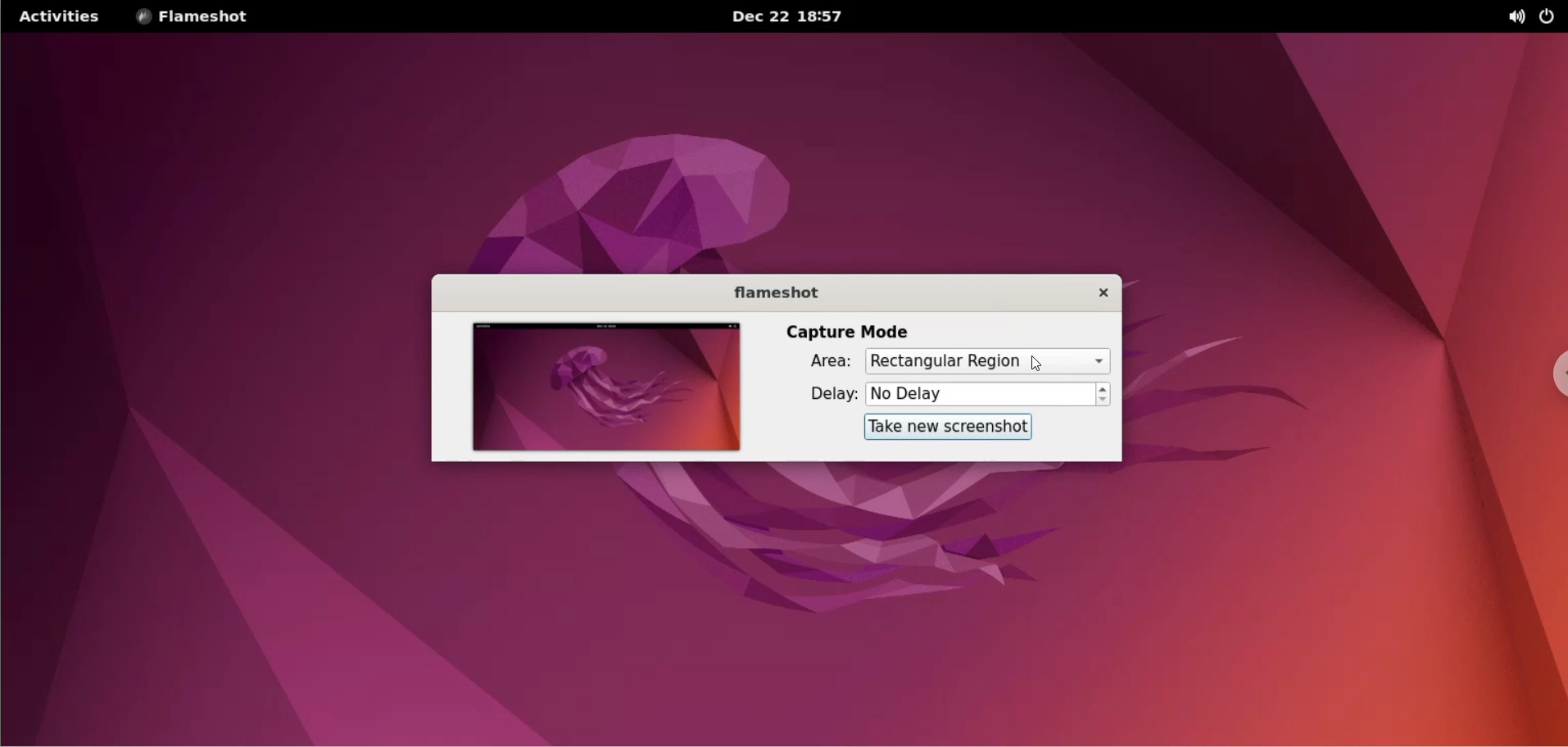  I want to click on take new screenshot button, so click(942, 428).